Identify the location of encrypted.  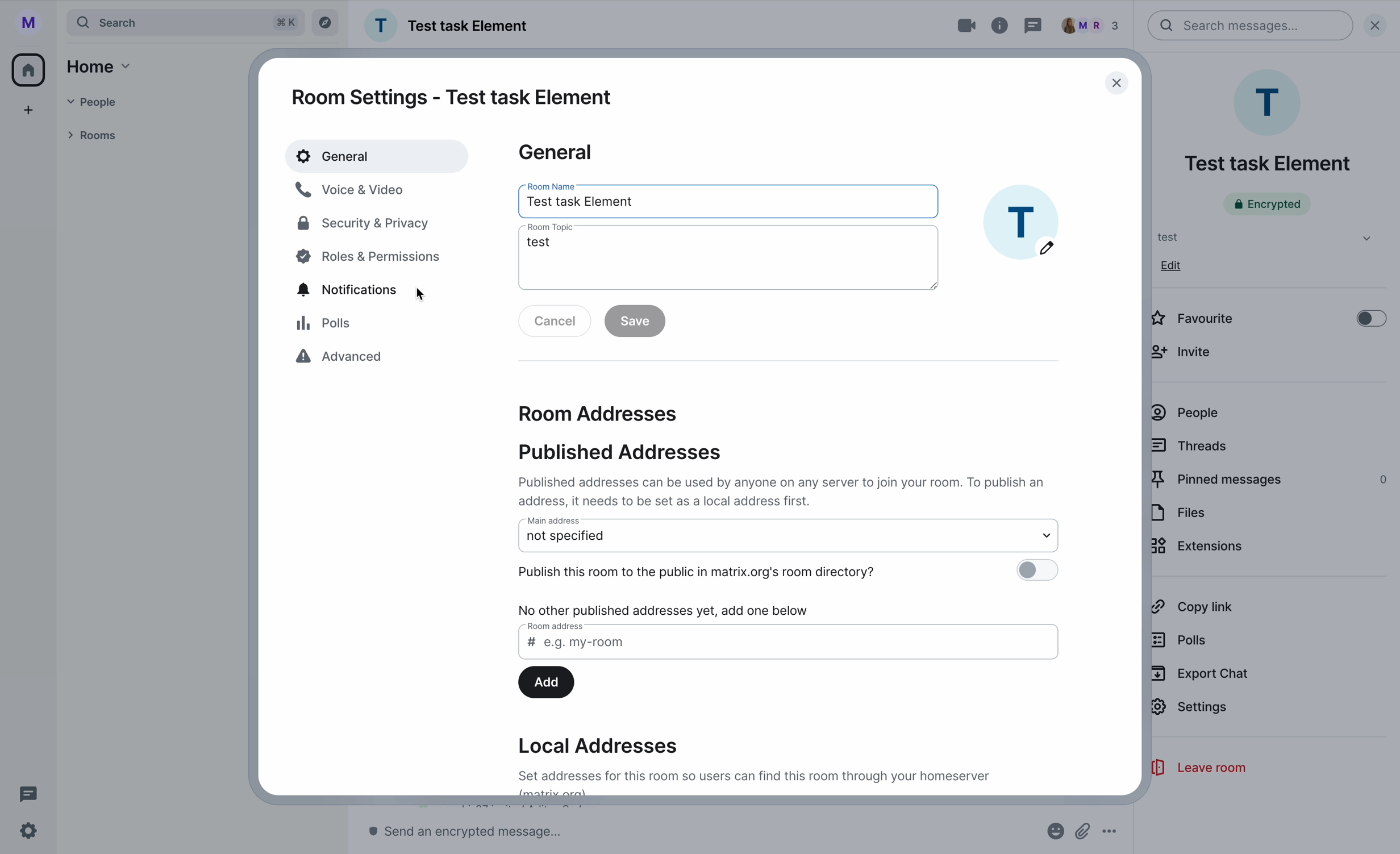
(1267, 204).